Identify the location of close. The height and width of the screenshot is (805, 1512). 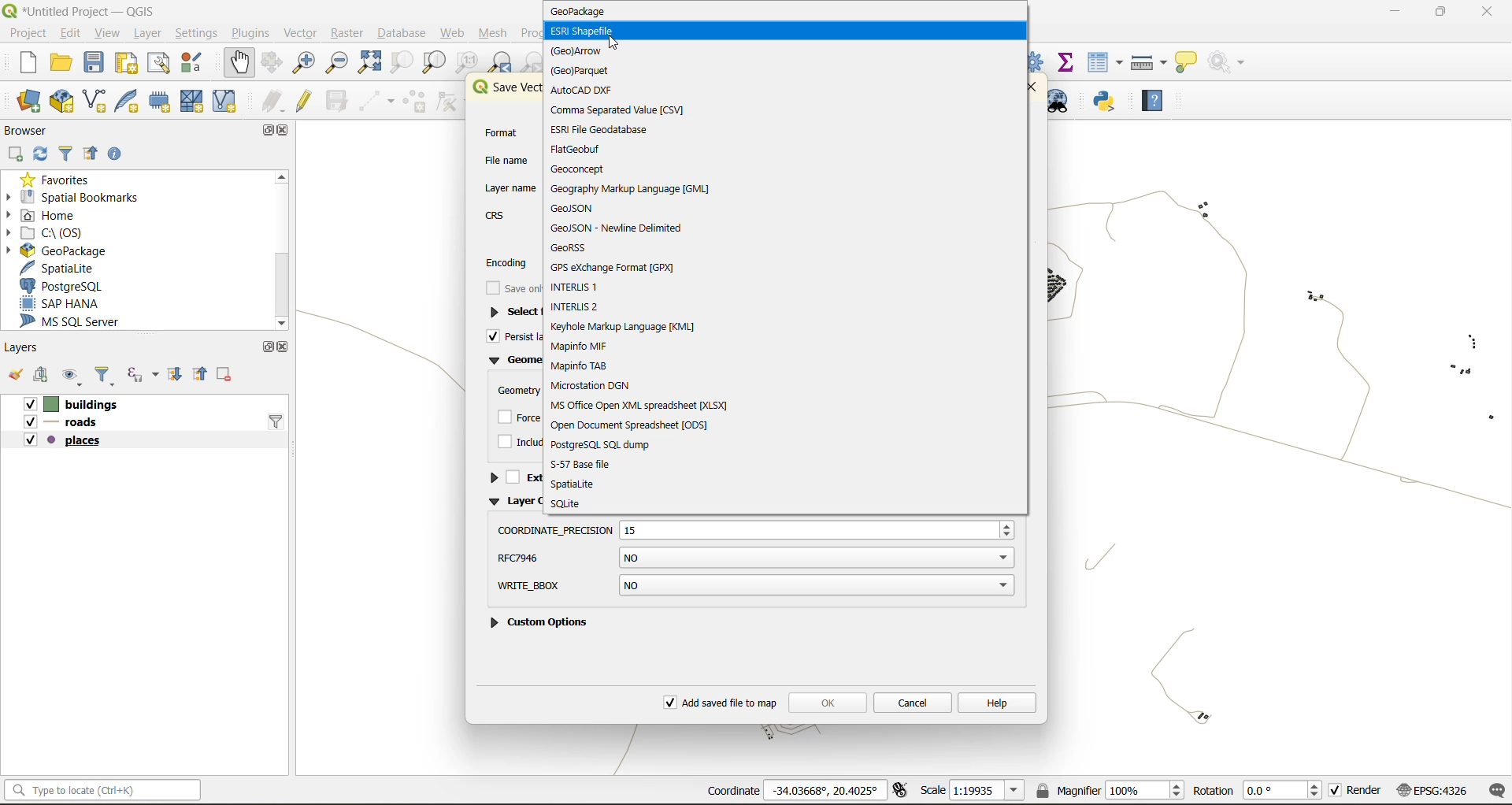
(287, 132).